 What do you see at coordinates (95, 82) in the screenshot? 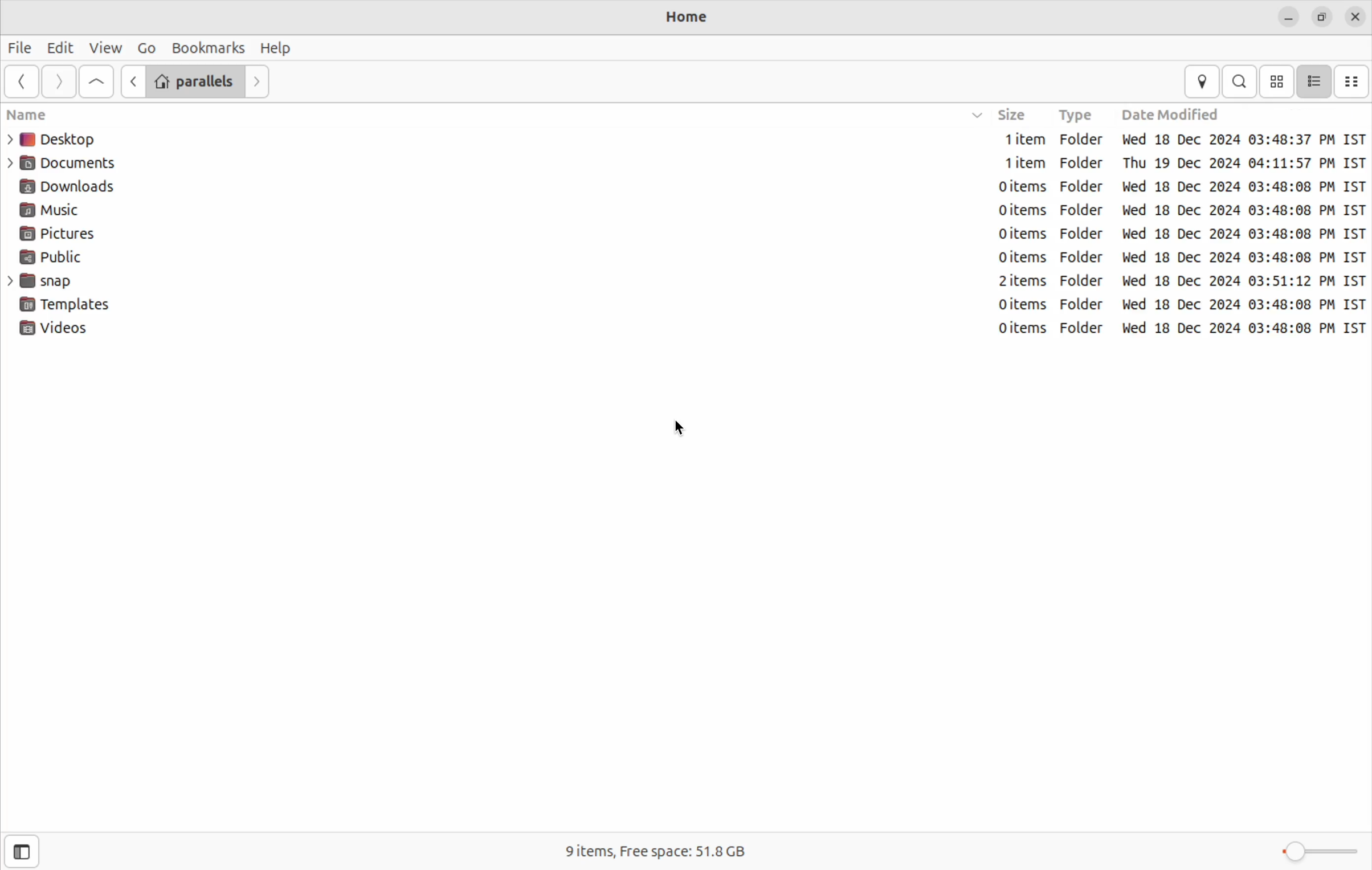
I see `Go first` at bounding box center [95, 82].